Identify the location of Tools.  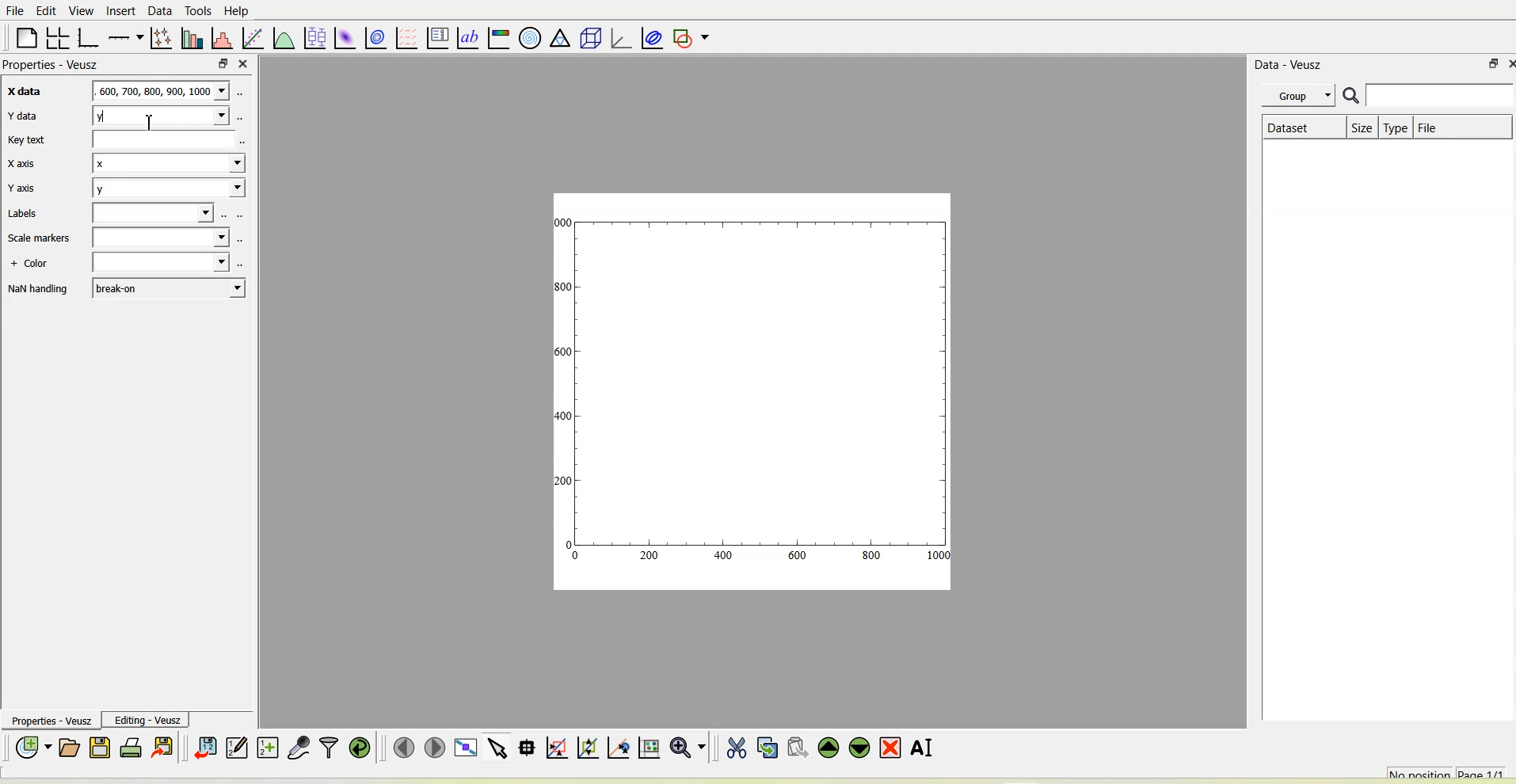
(196, 11).